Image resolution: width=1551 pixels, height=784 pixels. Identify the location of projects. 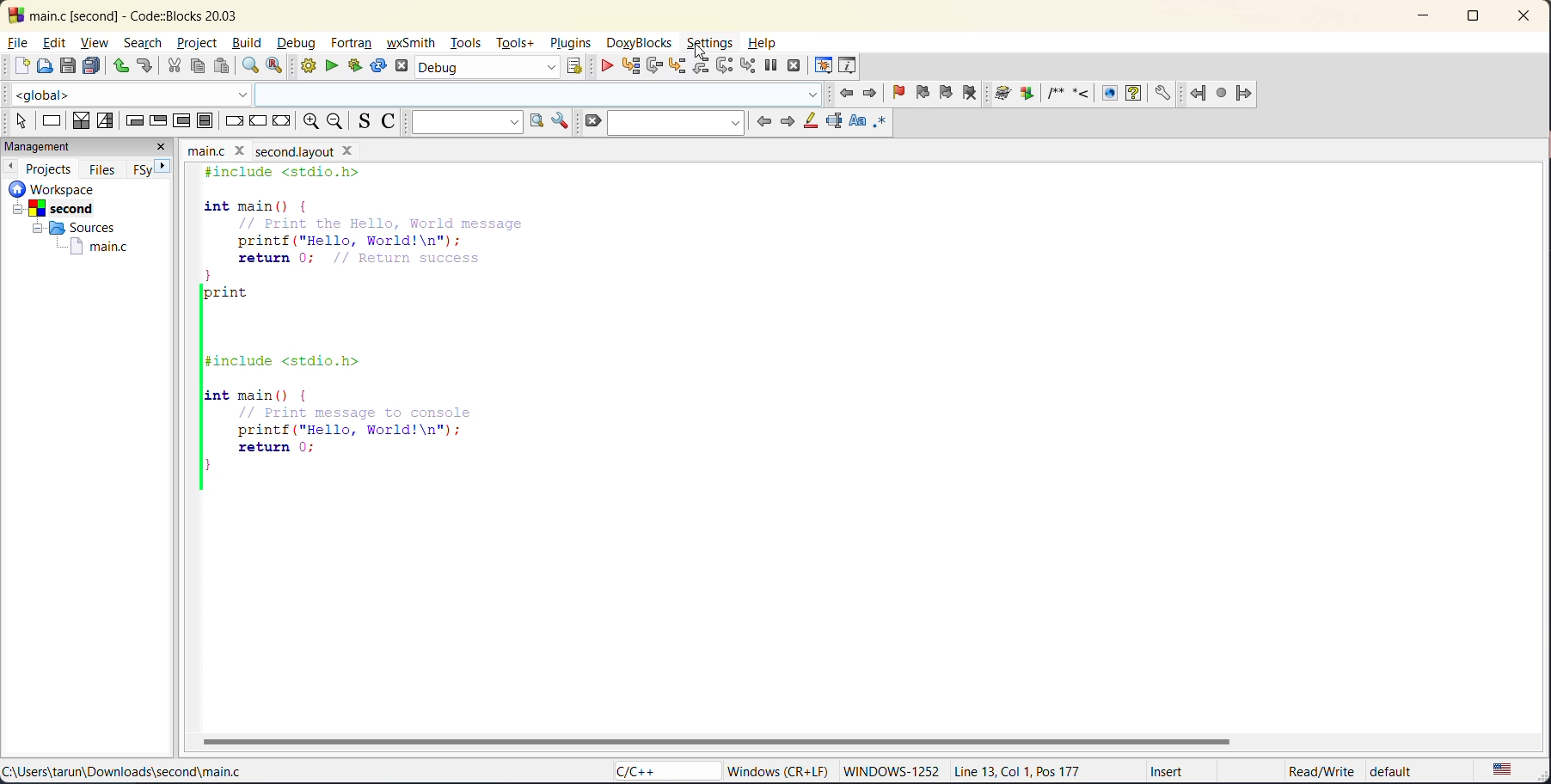
(51, 167).